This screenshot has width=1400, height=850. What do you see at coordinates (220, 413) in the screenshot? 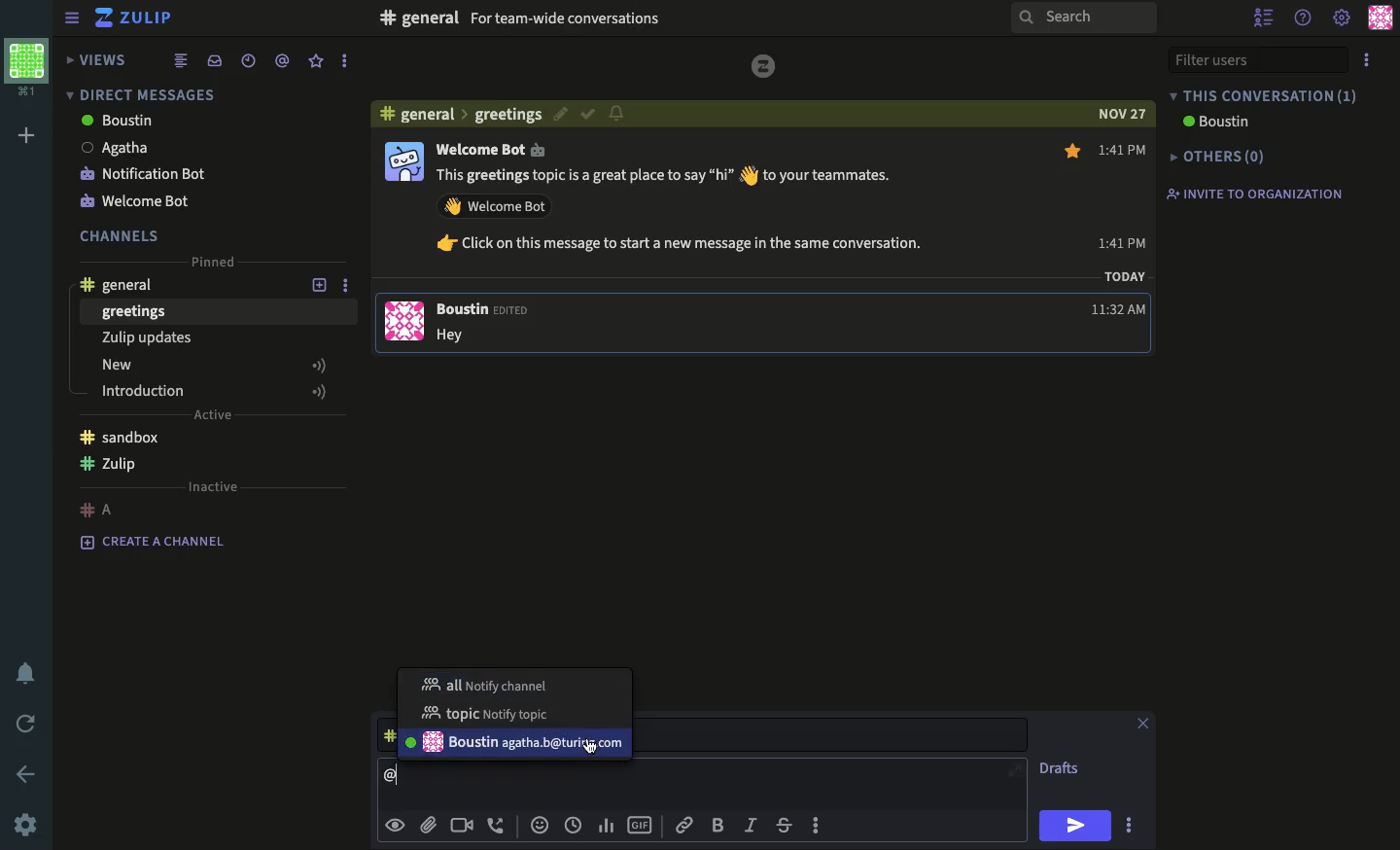
I see `Active` at bounding box center [220, 413].